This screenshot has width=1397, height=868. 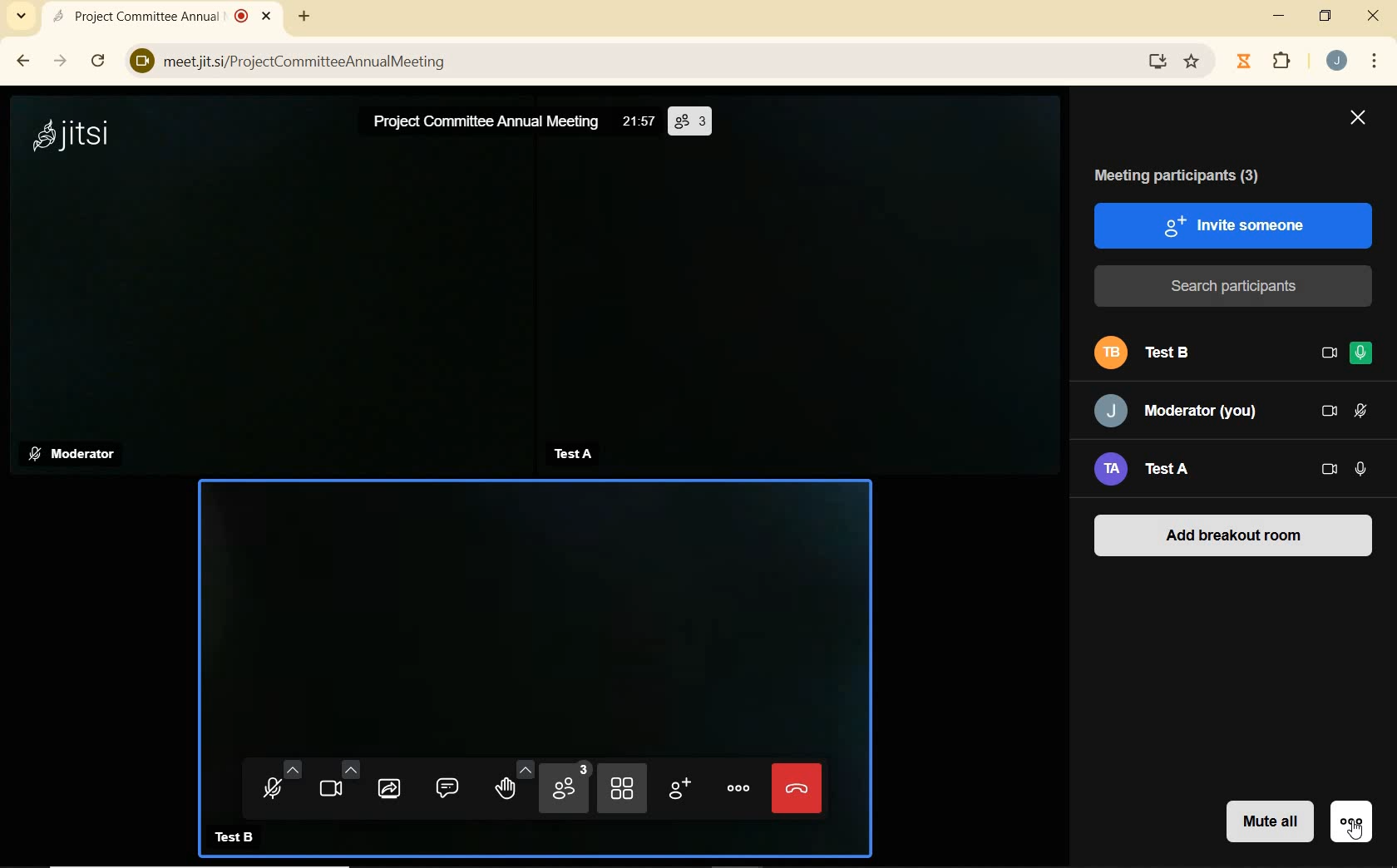 What do you see at coordinates (389, 788) in the screenshot?
I see `Screen sharing` at bounding box center [389, 788].